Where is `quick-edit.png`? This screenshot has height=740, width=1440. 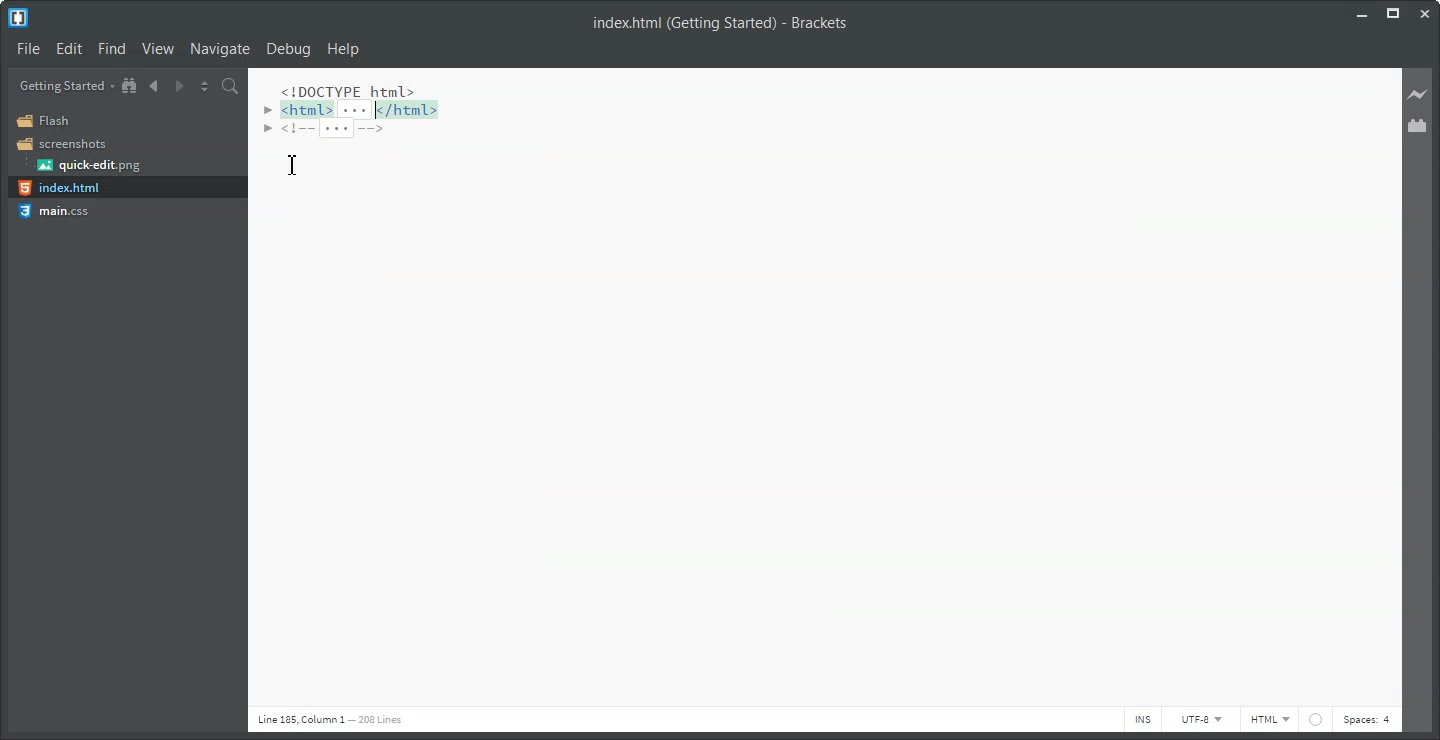 quick-edit.png is located at coordinates (89, 166).